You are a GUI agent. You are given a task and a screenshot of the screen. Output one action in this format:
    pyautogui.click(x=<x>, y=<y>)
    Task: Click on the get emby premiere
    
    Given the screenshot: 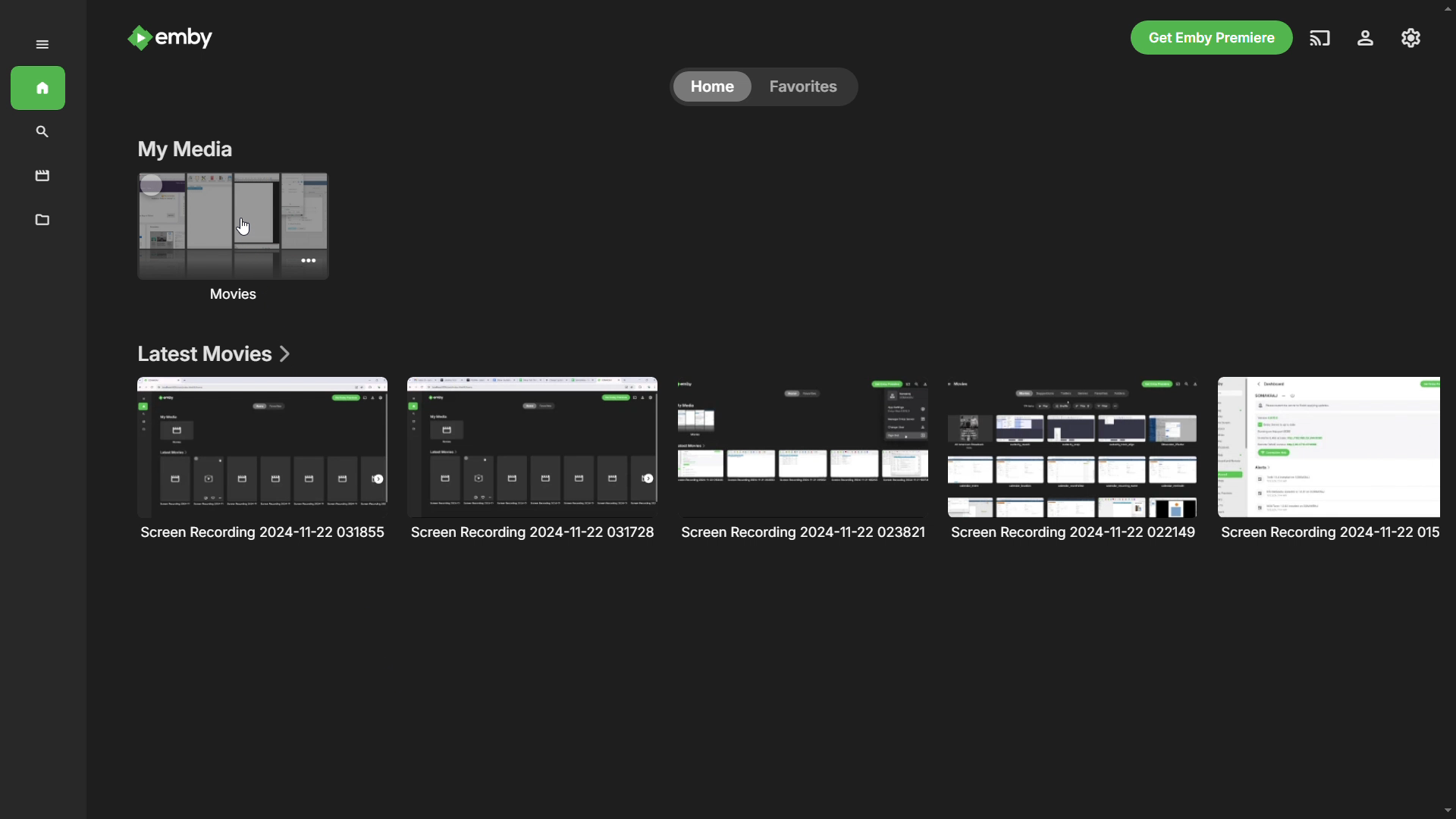 What is the action you would take?
    pyautogui.click(x=1212, y=37)
    